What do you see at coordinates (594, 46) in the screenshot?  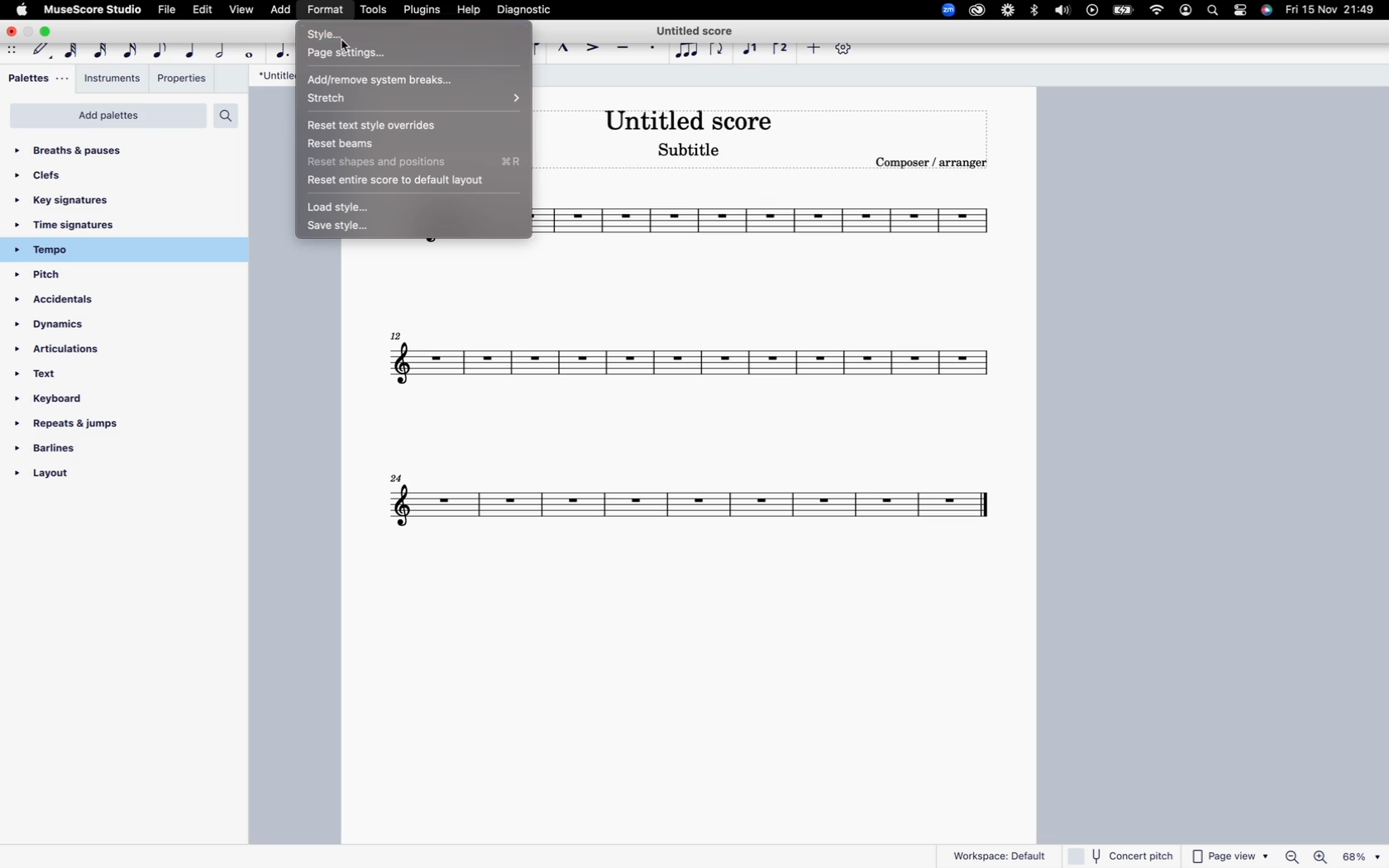 I see `accent` at bounding box center [594, 46].